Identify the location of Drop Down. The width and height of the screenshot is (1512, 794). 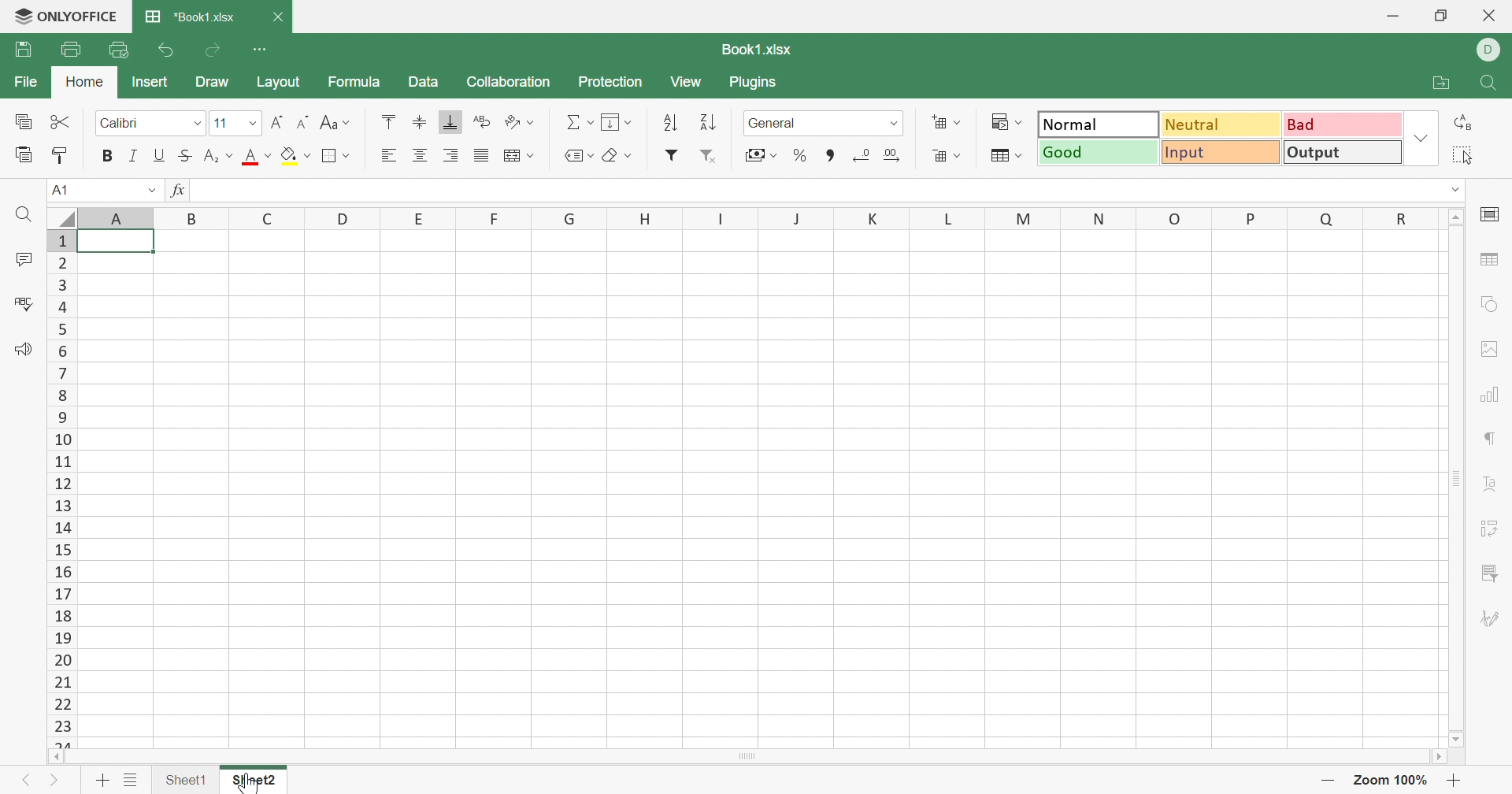
(1024, 121).